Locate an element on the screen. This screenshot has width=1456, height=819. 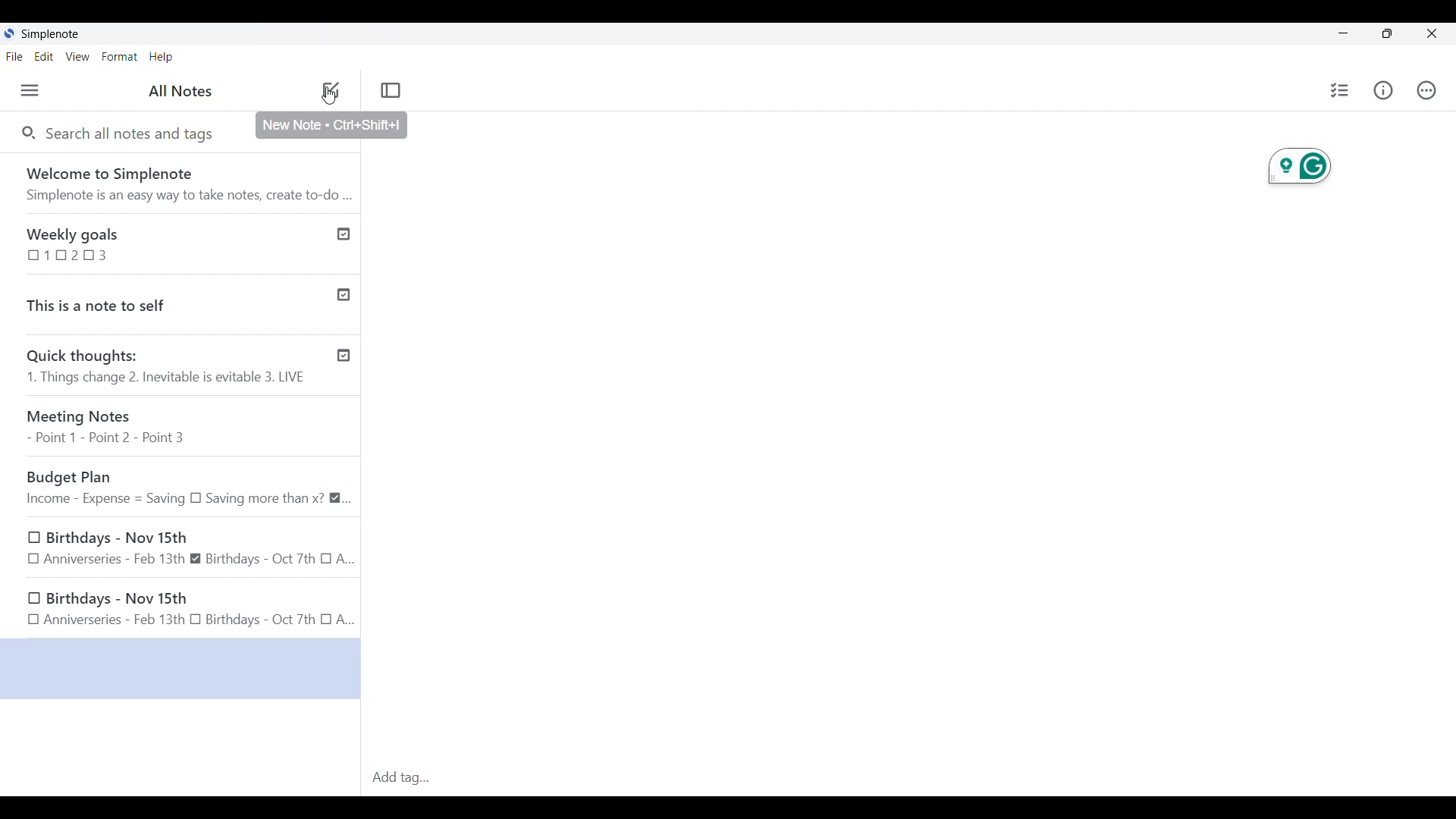
Weekly goals is located at coordinates (162, 243).